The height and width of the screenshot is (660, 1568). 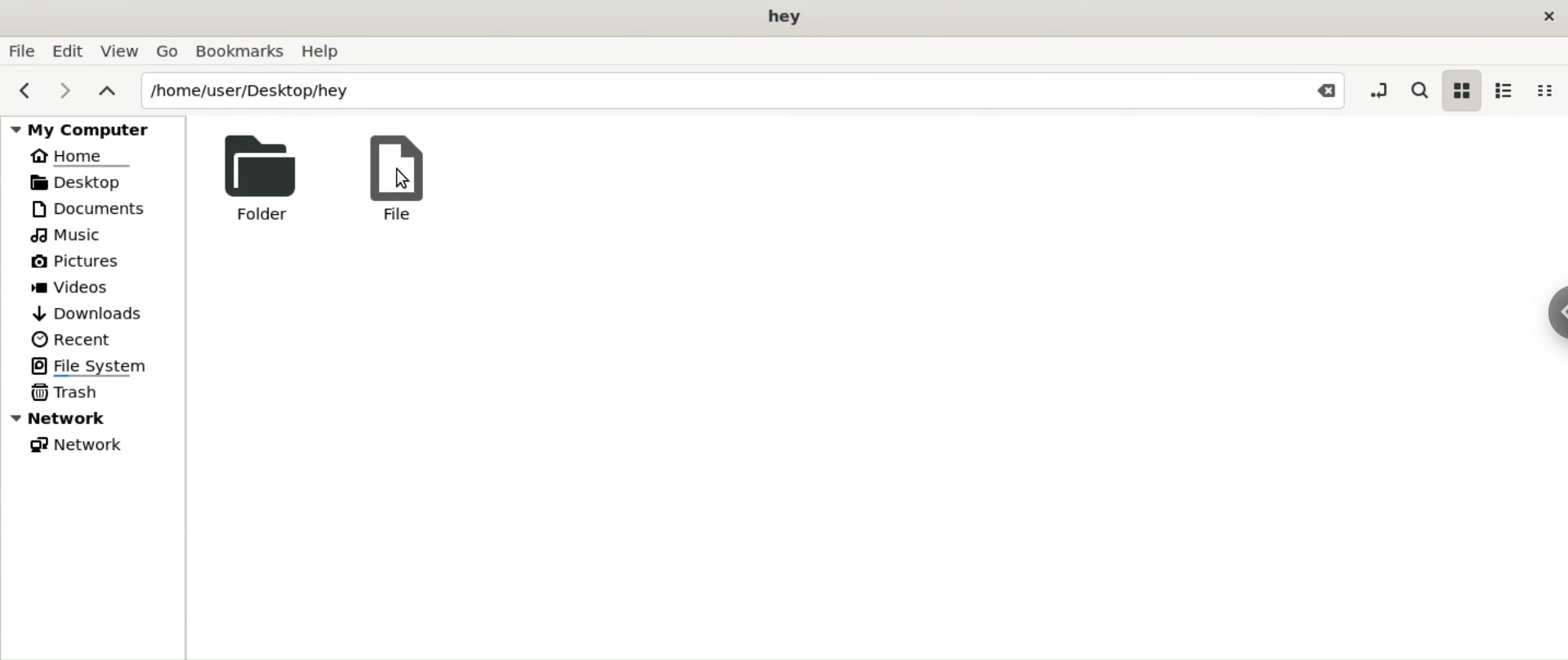 I want to click on Close, so click(x=1325, y=90).